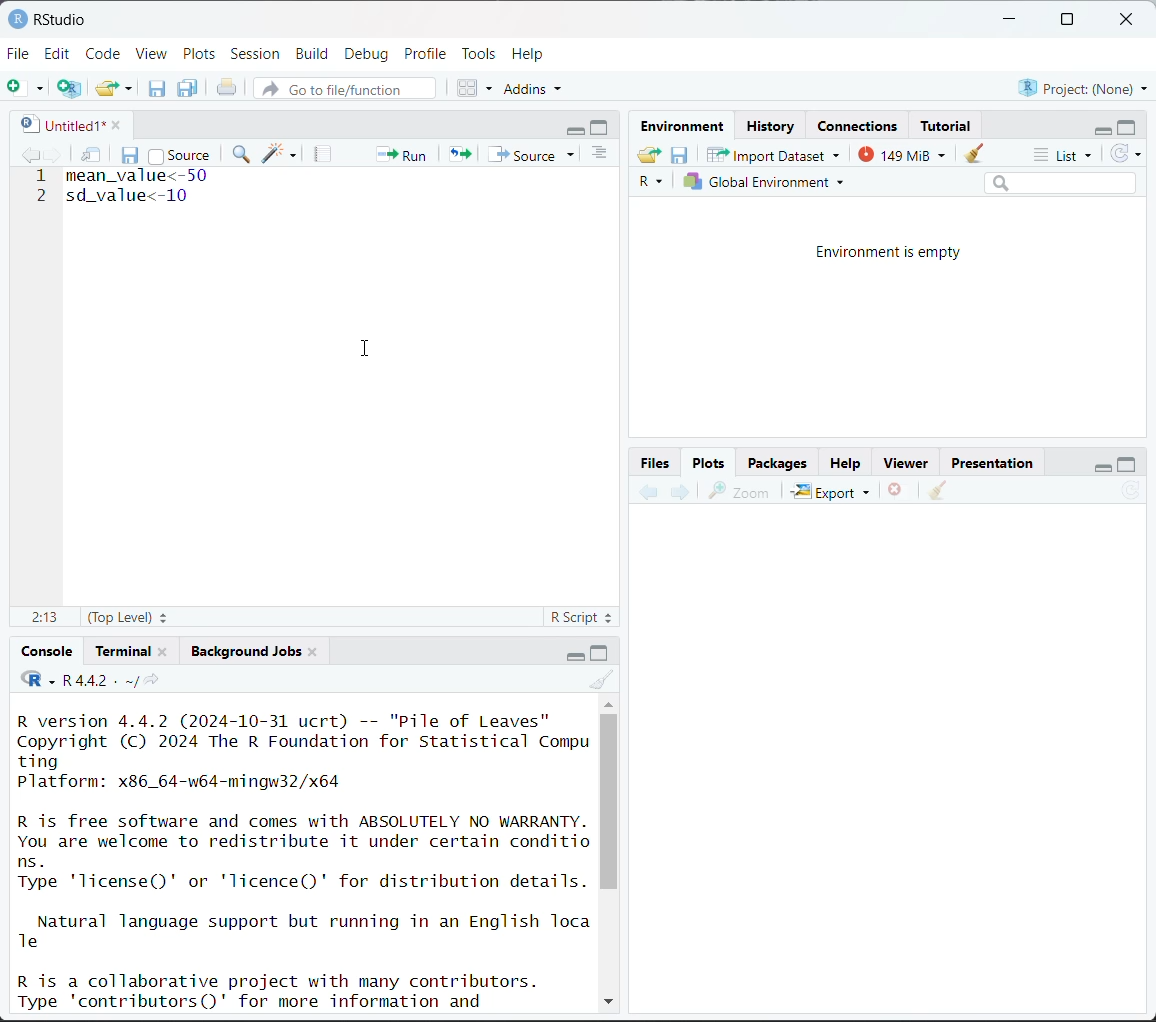 This screenshot has height=1022, width=1156. I want to click on clear console, so click(604, 680).